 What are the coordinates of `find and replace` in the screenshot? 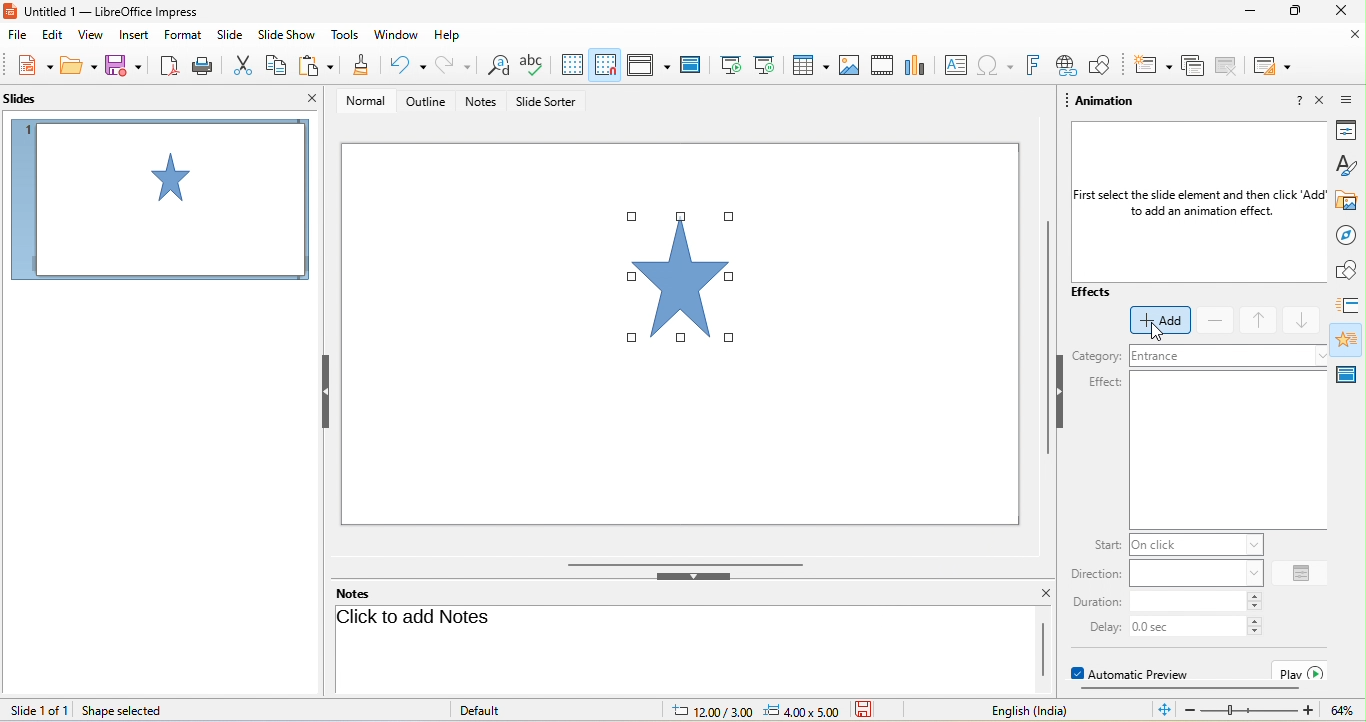 It's located at (497, 65).